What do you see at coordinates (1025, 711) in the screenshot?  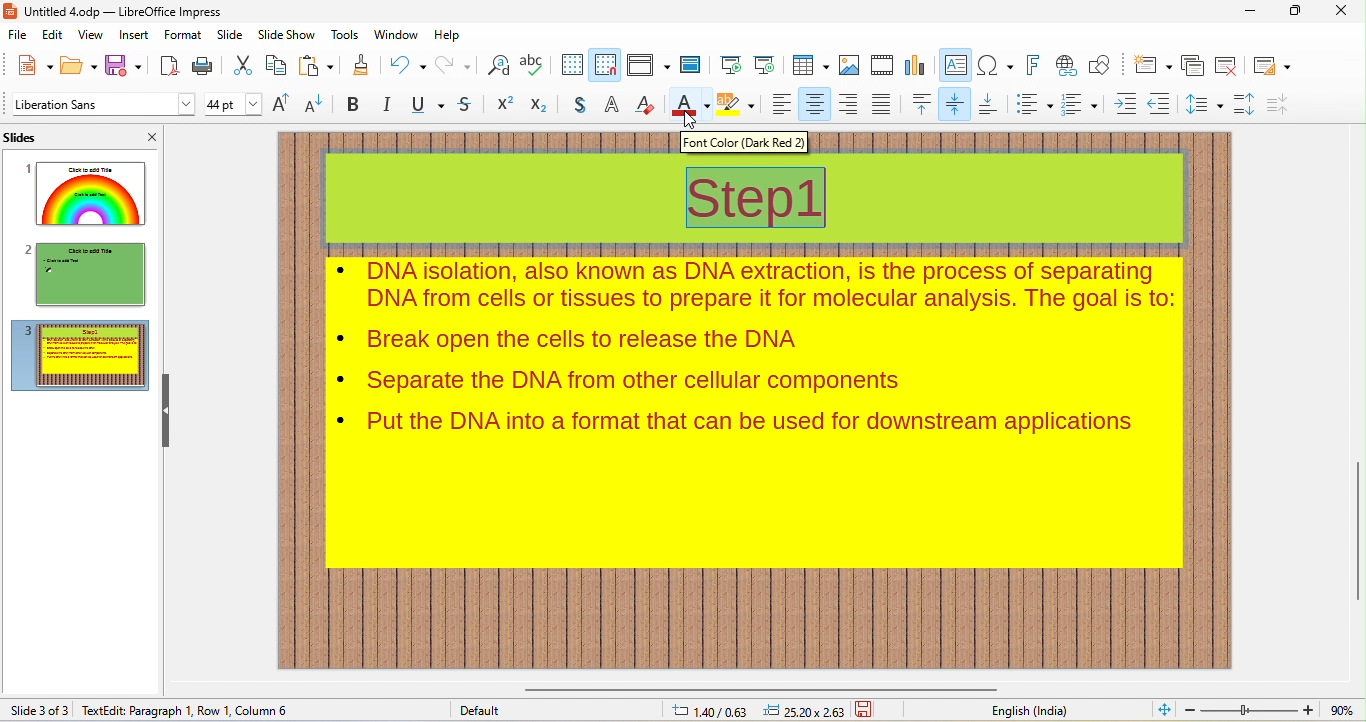 I see `english` at bounding box center [1025, 711].